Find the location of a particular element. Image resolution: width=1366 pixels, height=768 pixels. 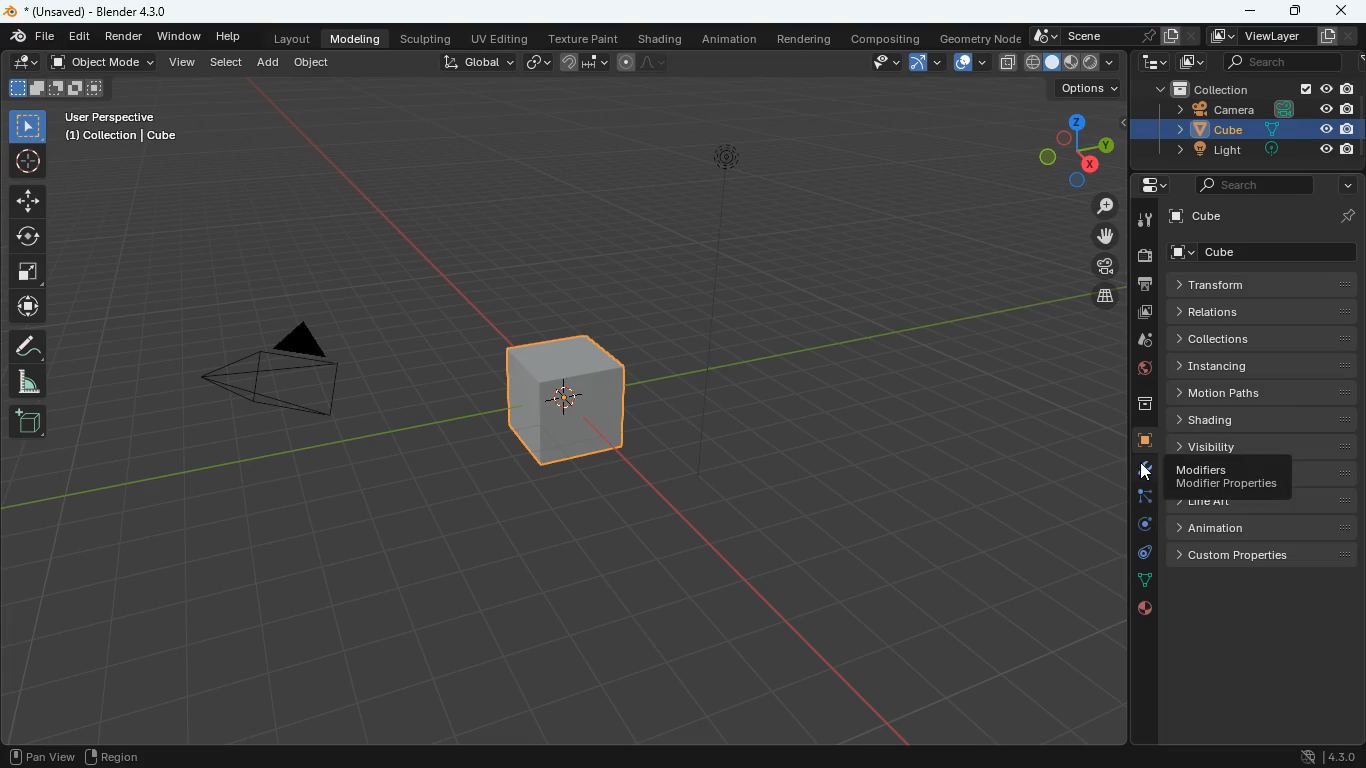

edge is located at coordinates (1135, 500).